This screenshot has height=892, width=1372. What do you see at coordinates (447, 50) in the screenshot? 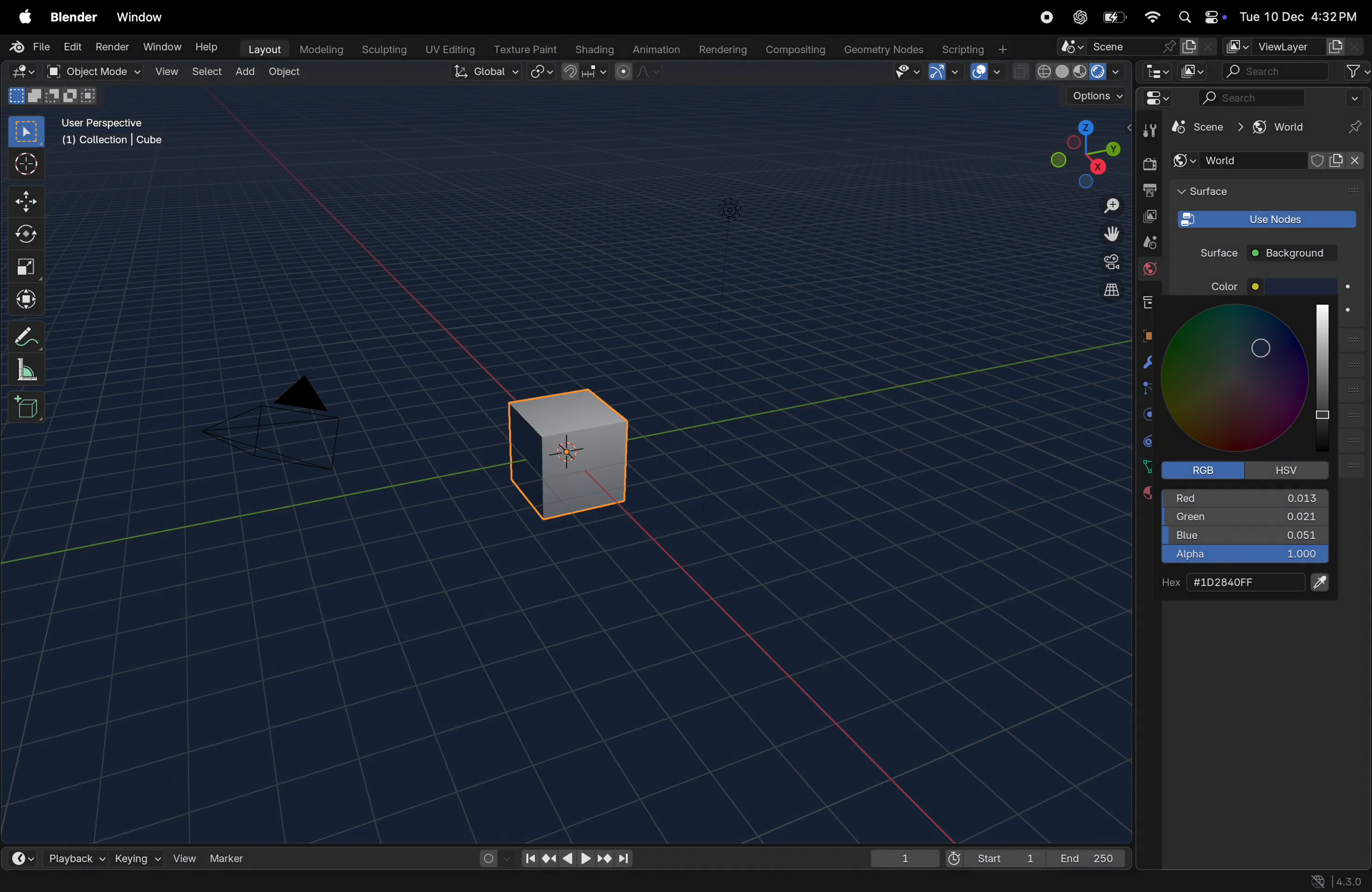
I see `UV editing` at bounding box center [447, 50].